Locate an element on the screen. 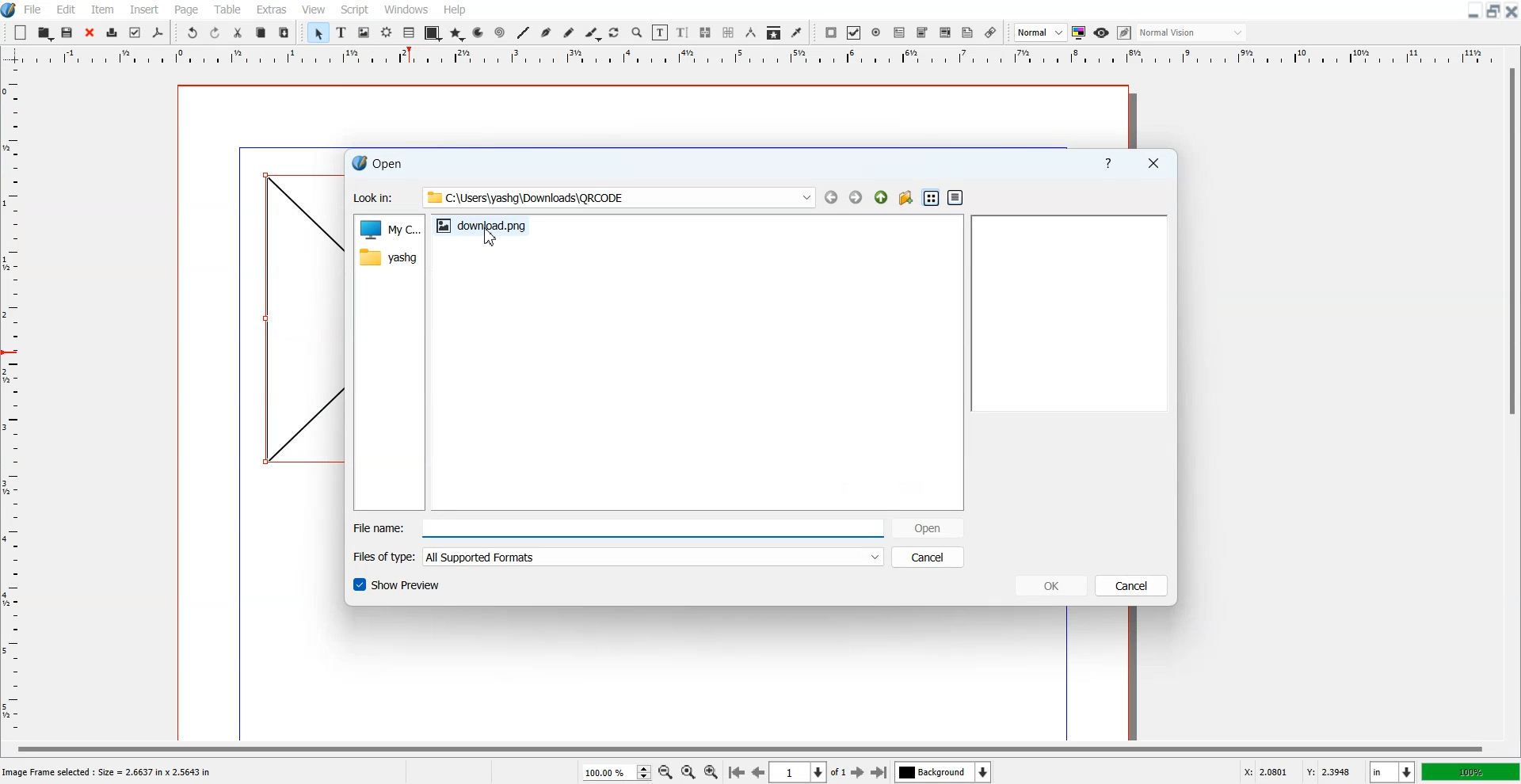 The image size is (1521, 784). Link Text frame is located at coordinates (705, 32).